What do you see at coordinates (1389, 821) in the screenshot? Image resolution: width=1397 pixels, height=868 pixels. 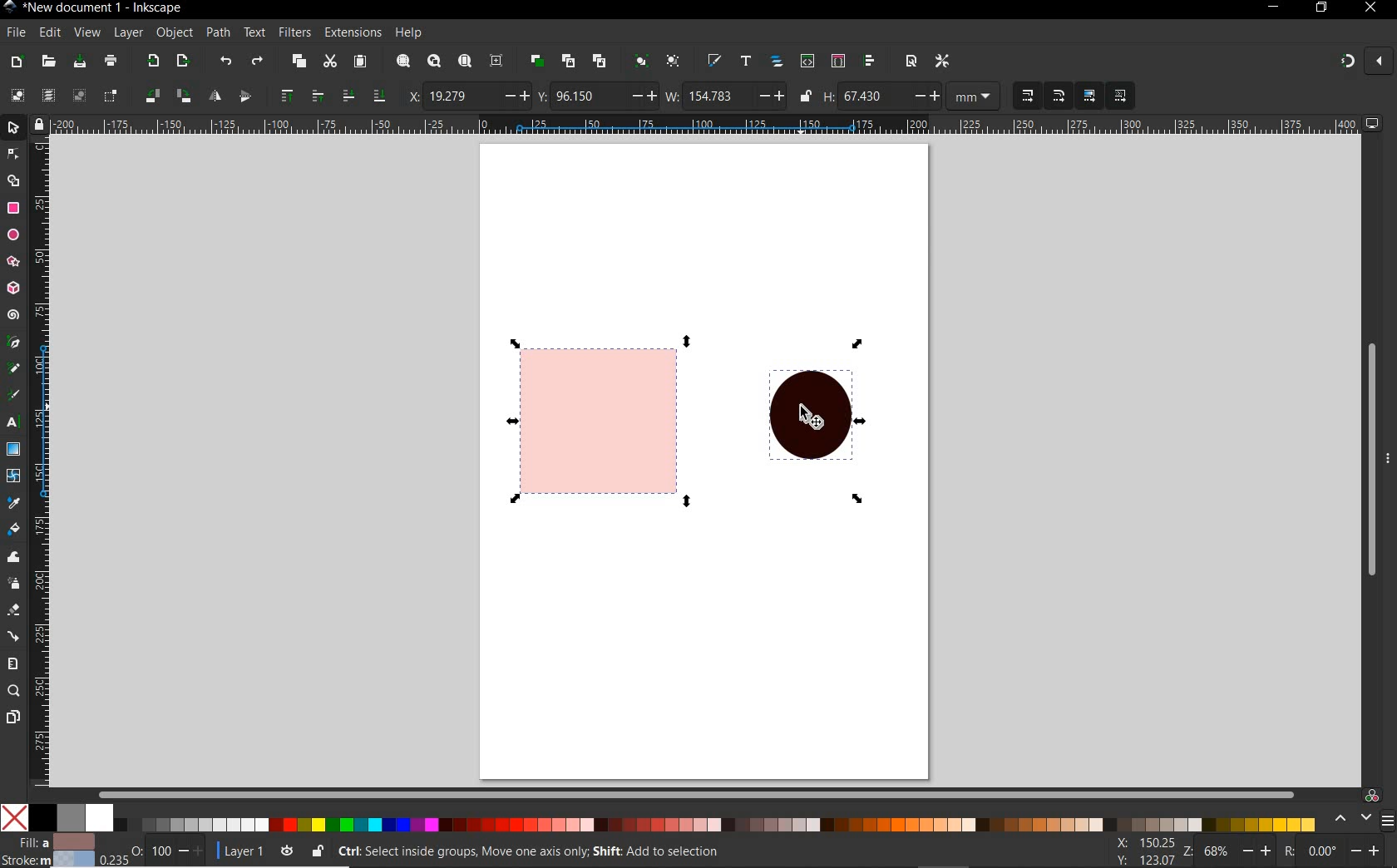 I see `SIDEBAR` at bounding box center [1389, 821].